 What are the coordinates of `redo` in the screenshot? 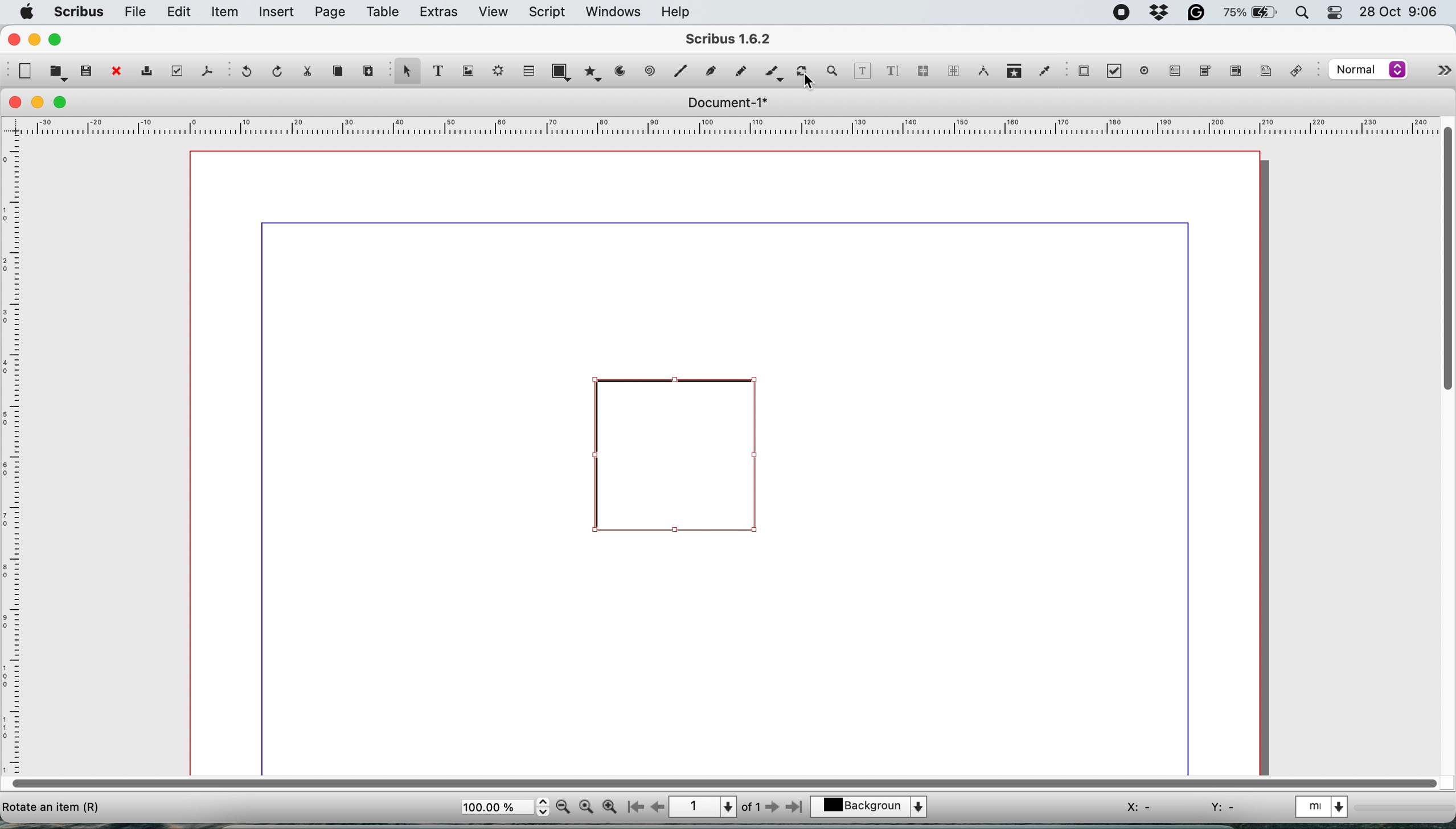 It's located at (279, 71).